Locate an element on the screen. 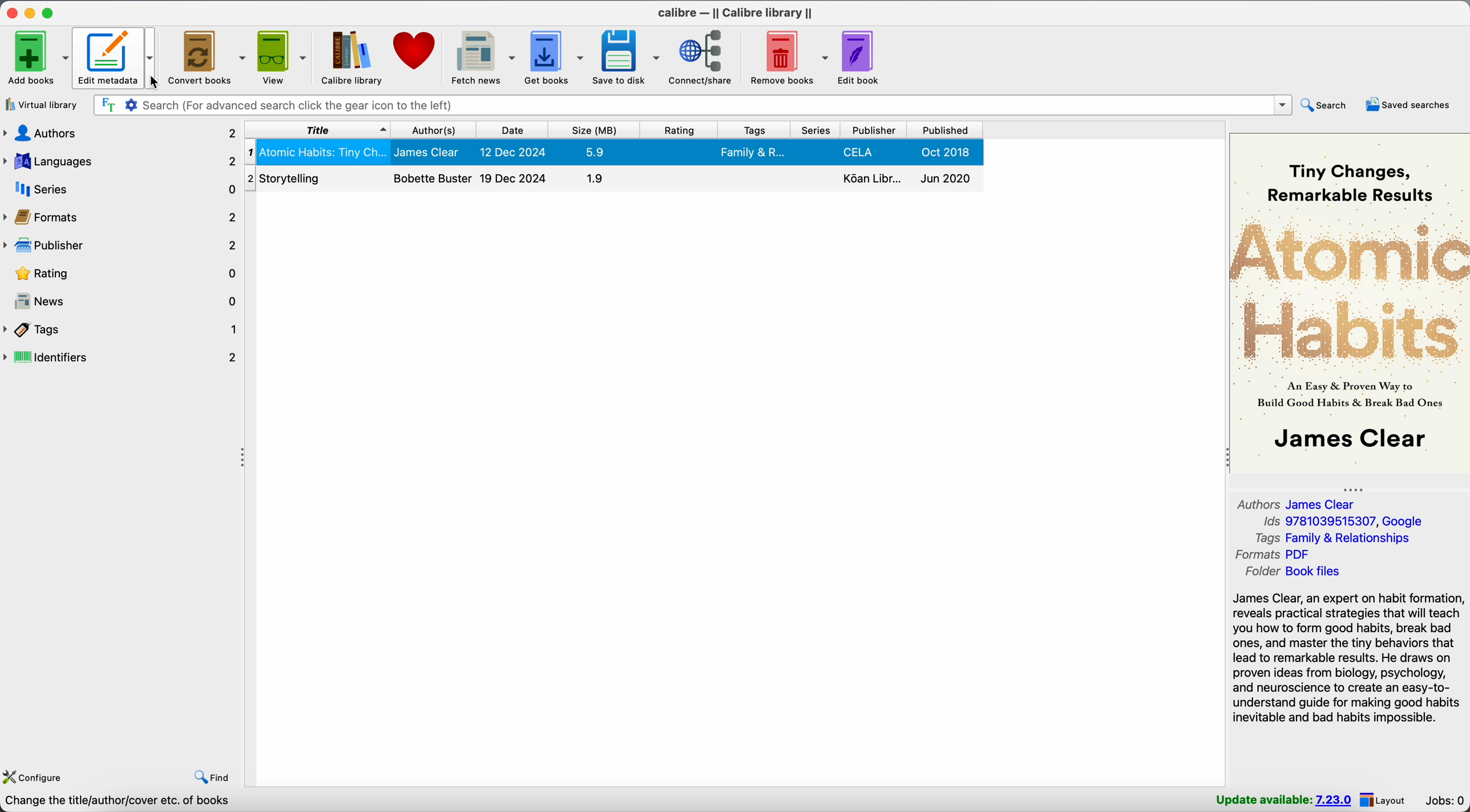 Image resolution: width=1470 pixels, height=812 pixels. remove books is located at coordinates (788, 57).